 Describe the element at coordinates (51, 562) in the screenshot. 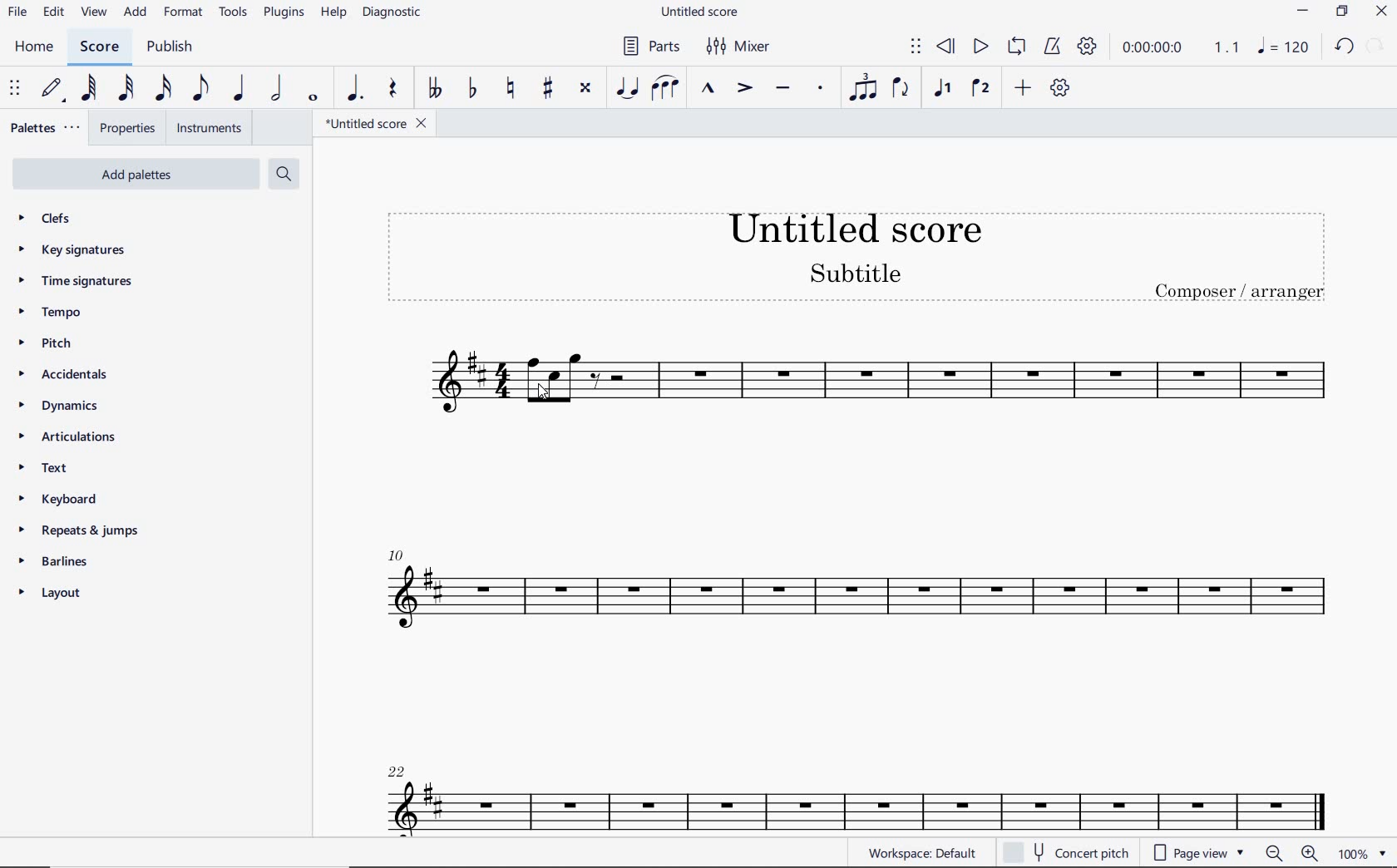

I see `BARLINES` at that location.